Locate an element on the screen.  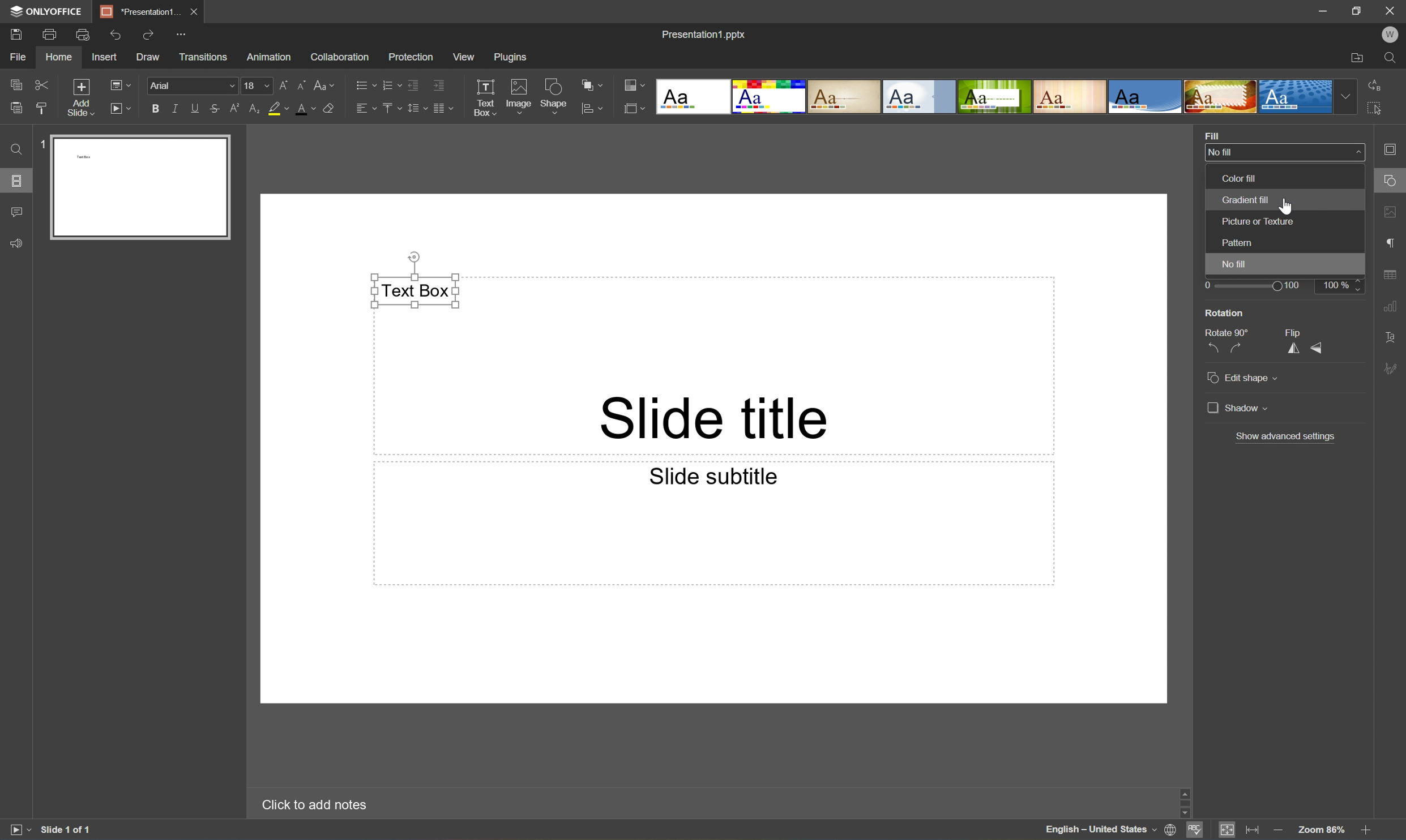
Click to add notes is located at coordinates (313, 807).